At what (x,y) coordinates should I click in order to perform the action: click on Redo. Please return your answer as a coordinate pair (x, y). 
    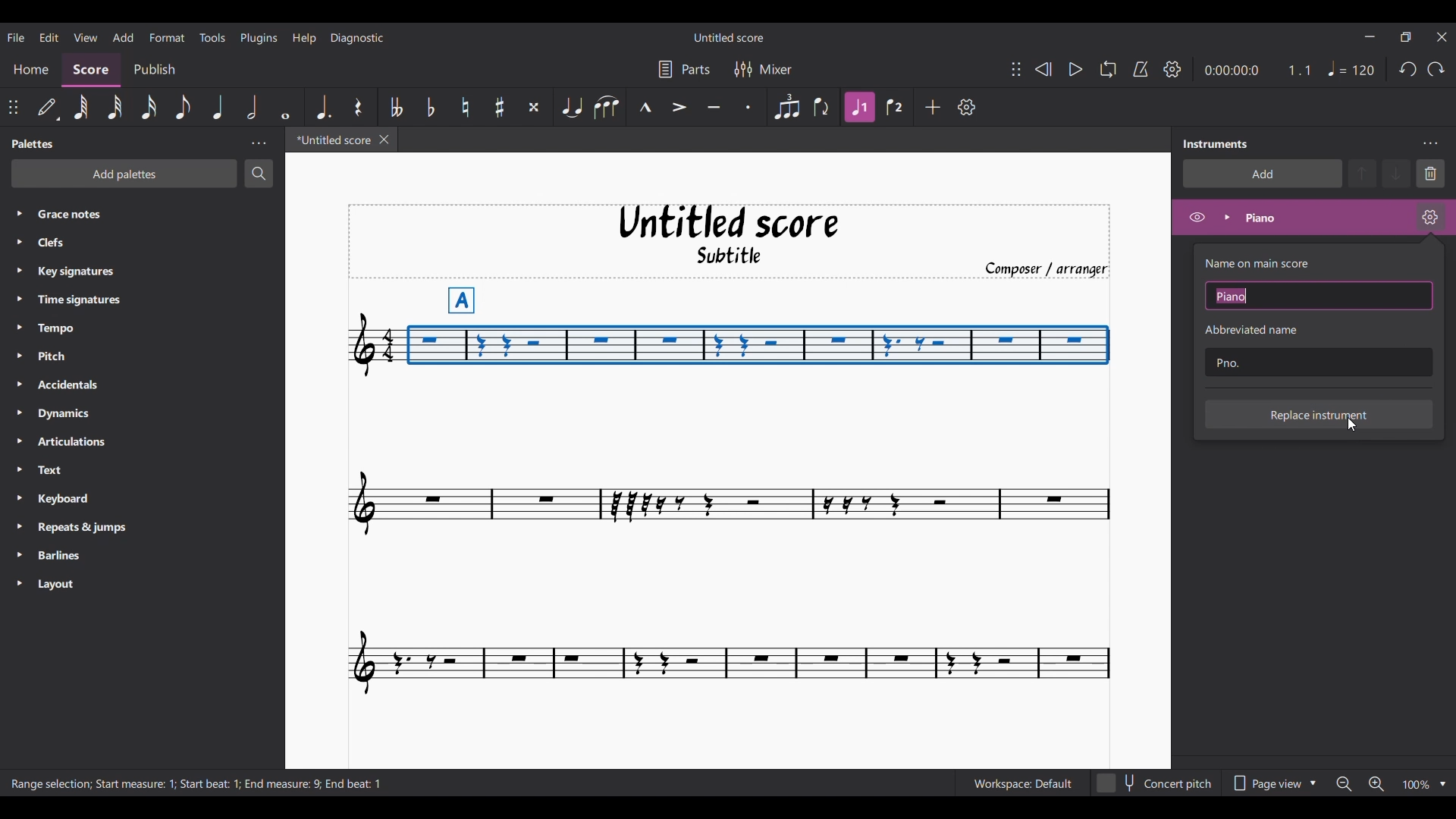
    Looking at the image, I should click on (1436, 69).